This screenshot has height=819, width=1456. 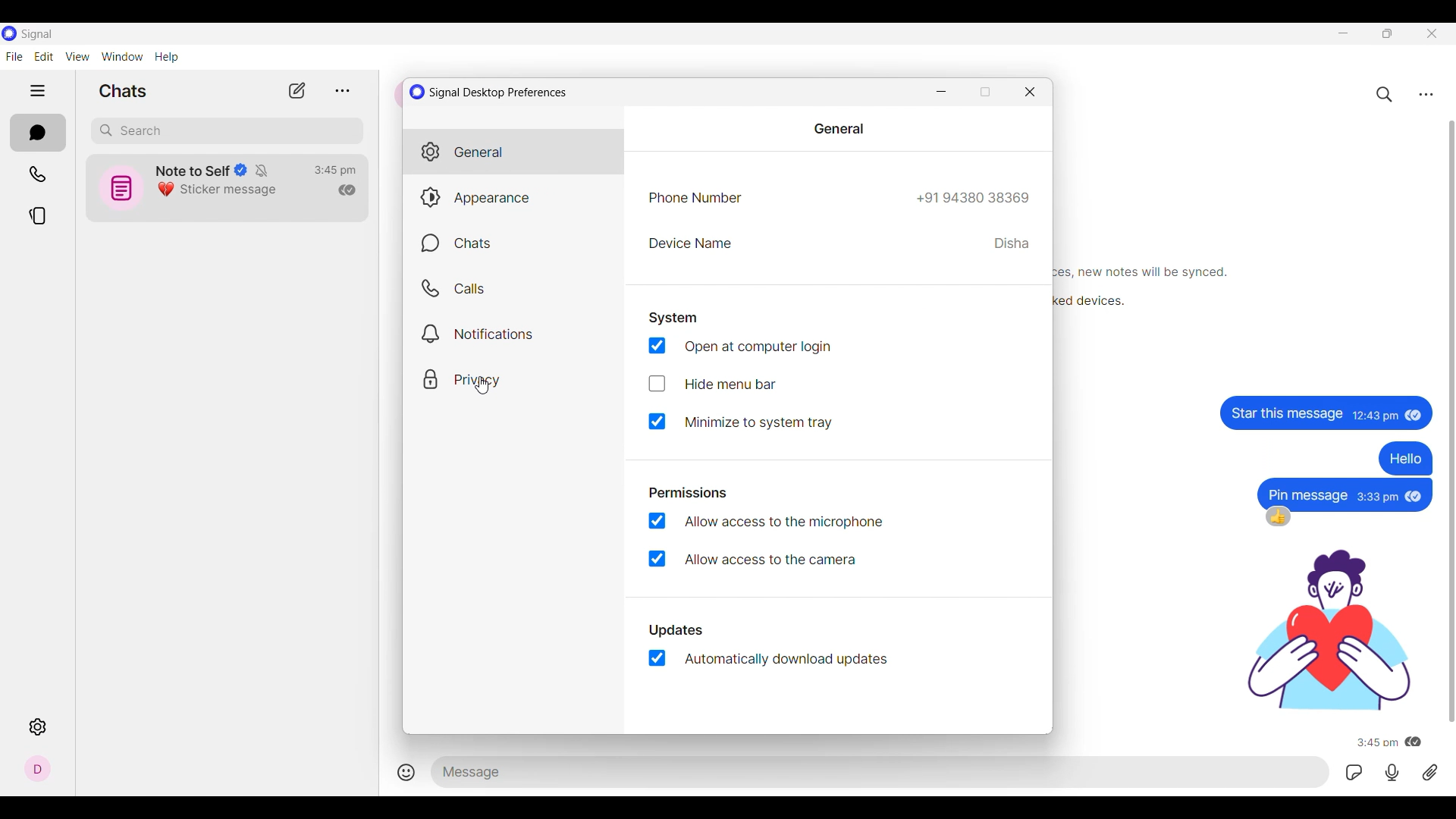 I want to click on Show/Hide left side panel, so click(x=38, y=91).